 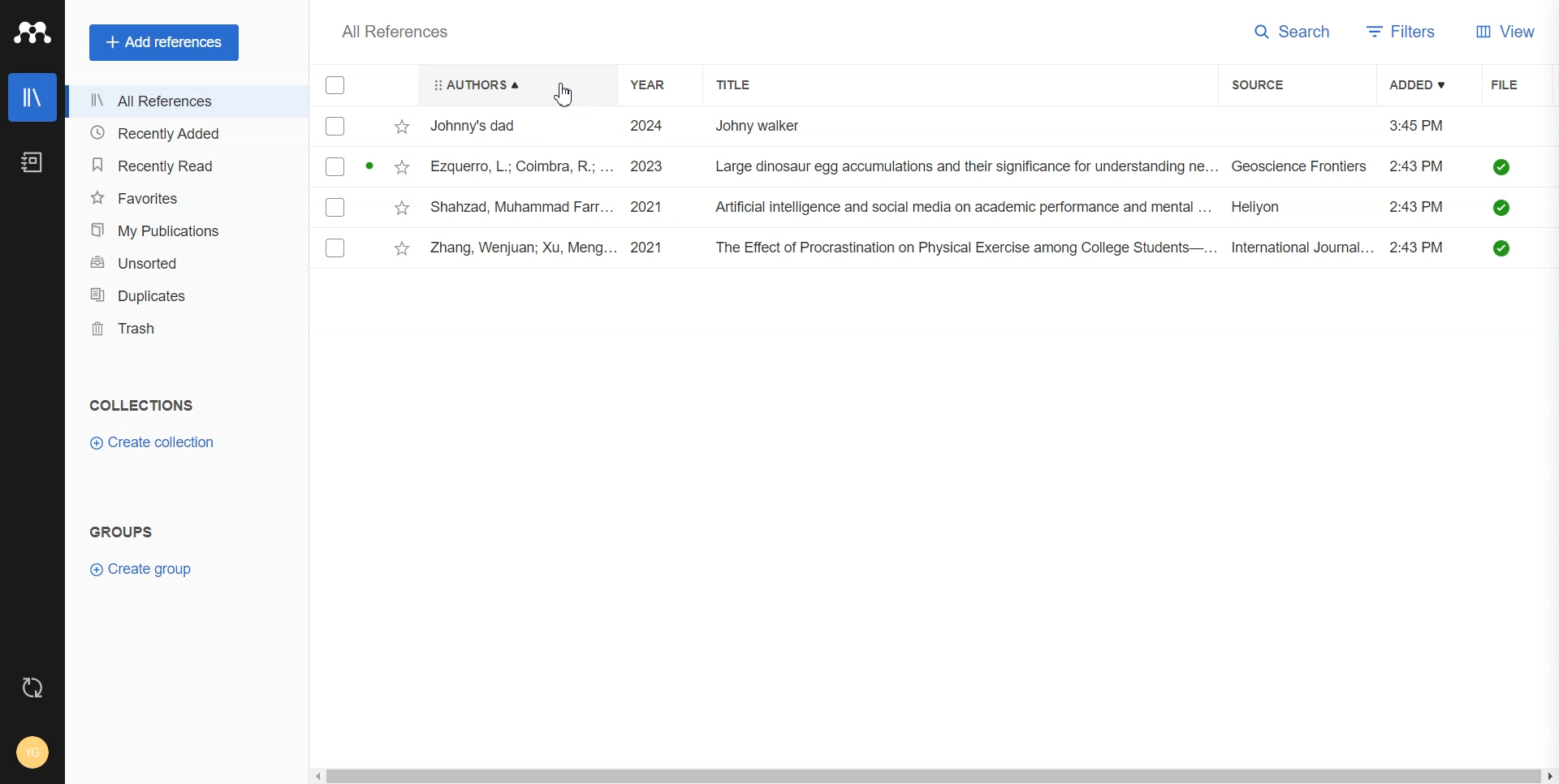 What do you see at coordinates (31, 753) in the screenshot?
I see `Account` at bounding box center [31, 753].